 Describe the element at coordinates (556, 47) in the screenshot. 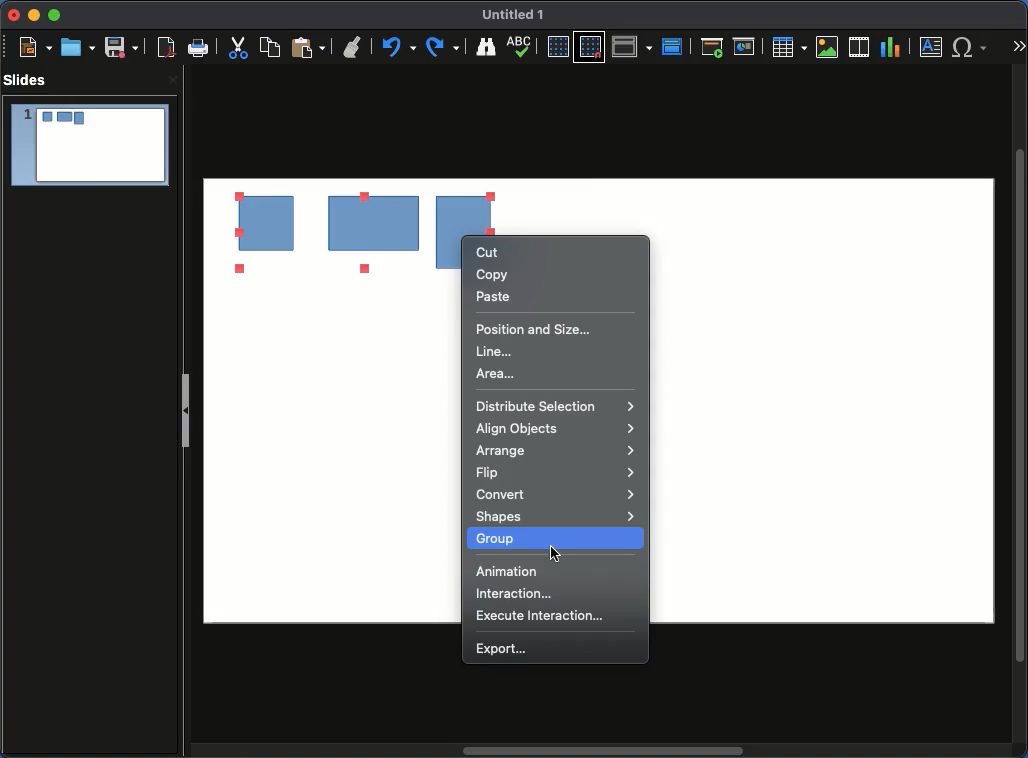

I see `Display grid` at that location.